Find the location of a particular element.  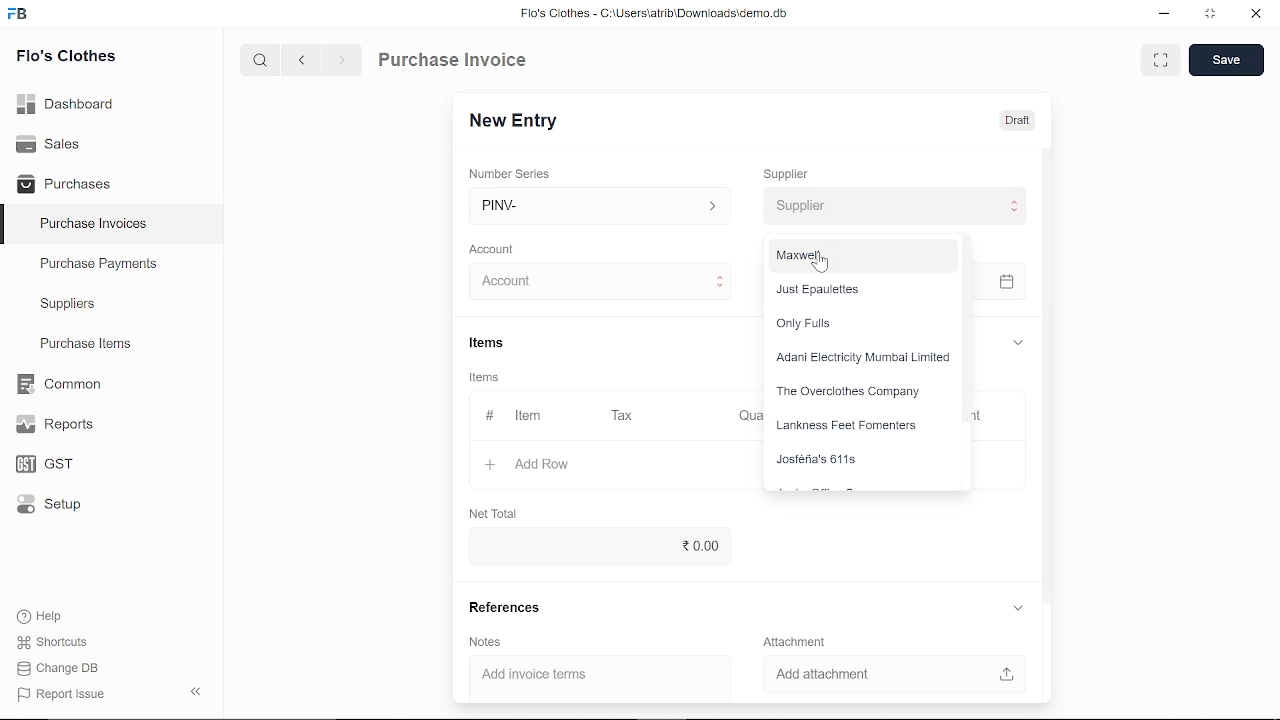

0.00 is located at coordinates (594, 546).